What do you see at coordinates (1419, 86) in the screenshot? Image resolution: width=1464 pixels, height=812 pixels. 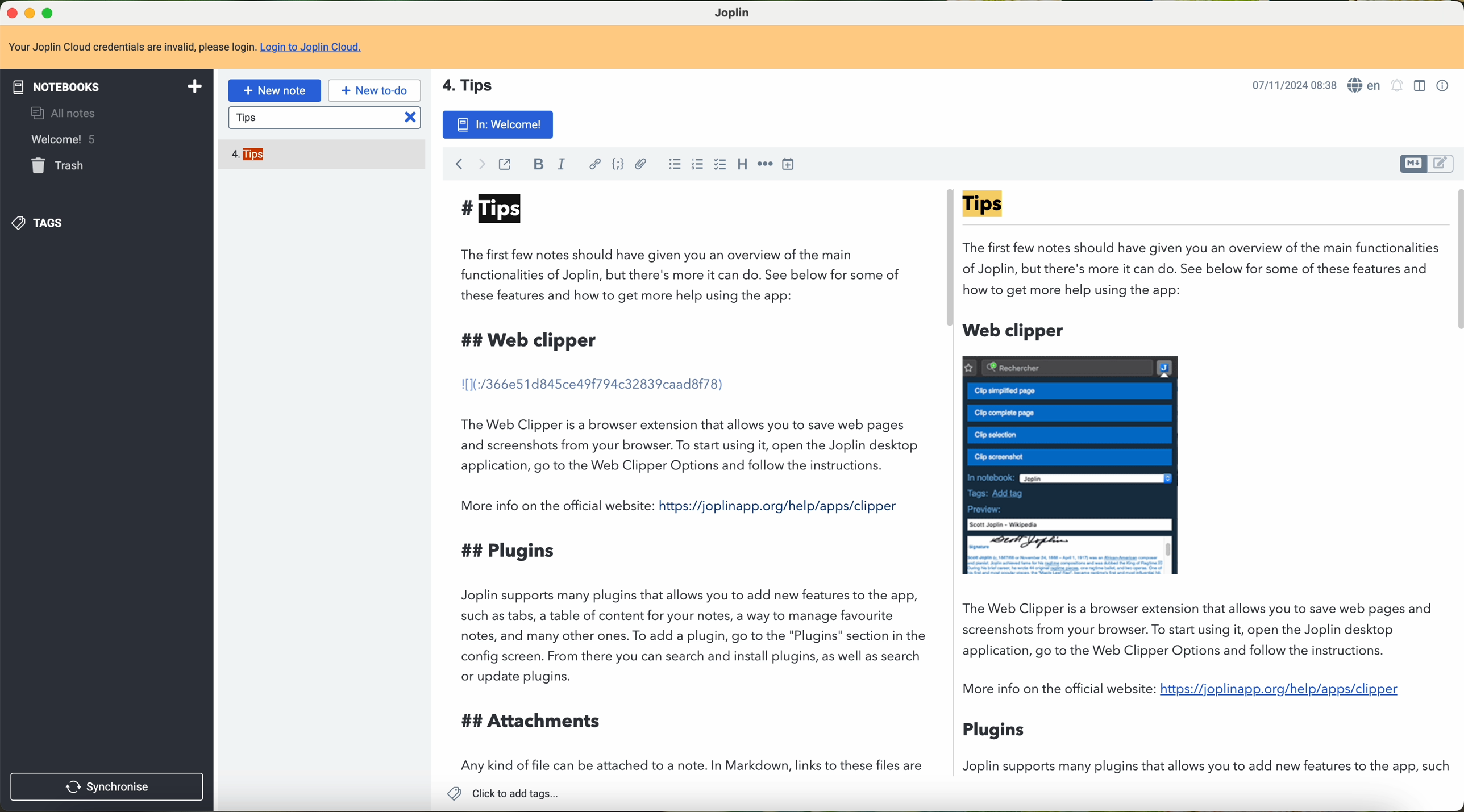 I see `toggle editor layout` at bounding box center [1419, 86].